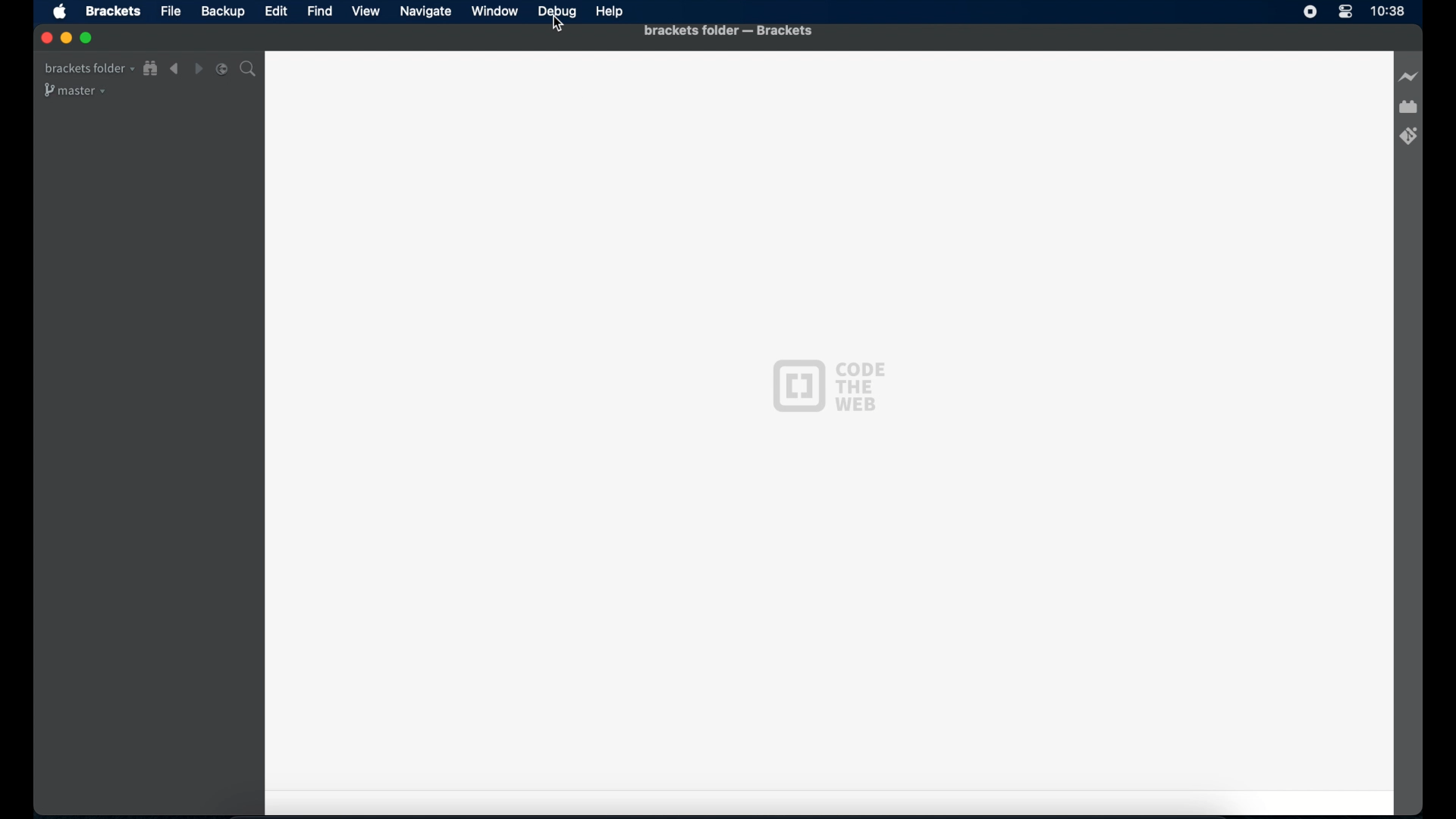 Image resolution: width=1456 pixels, height=819 pixels. What do you see at coordinates (151, 68) in the screenshot?
I see `show file in  tree` at bounding box center [151, 68].